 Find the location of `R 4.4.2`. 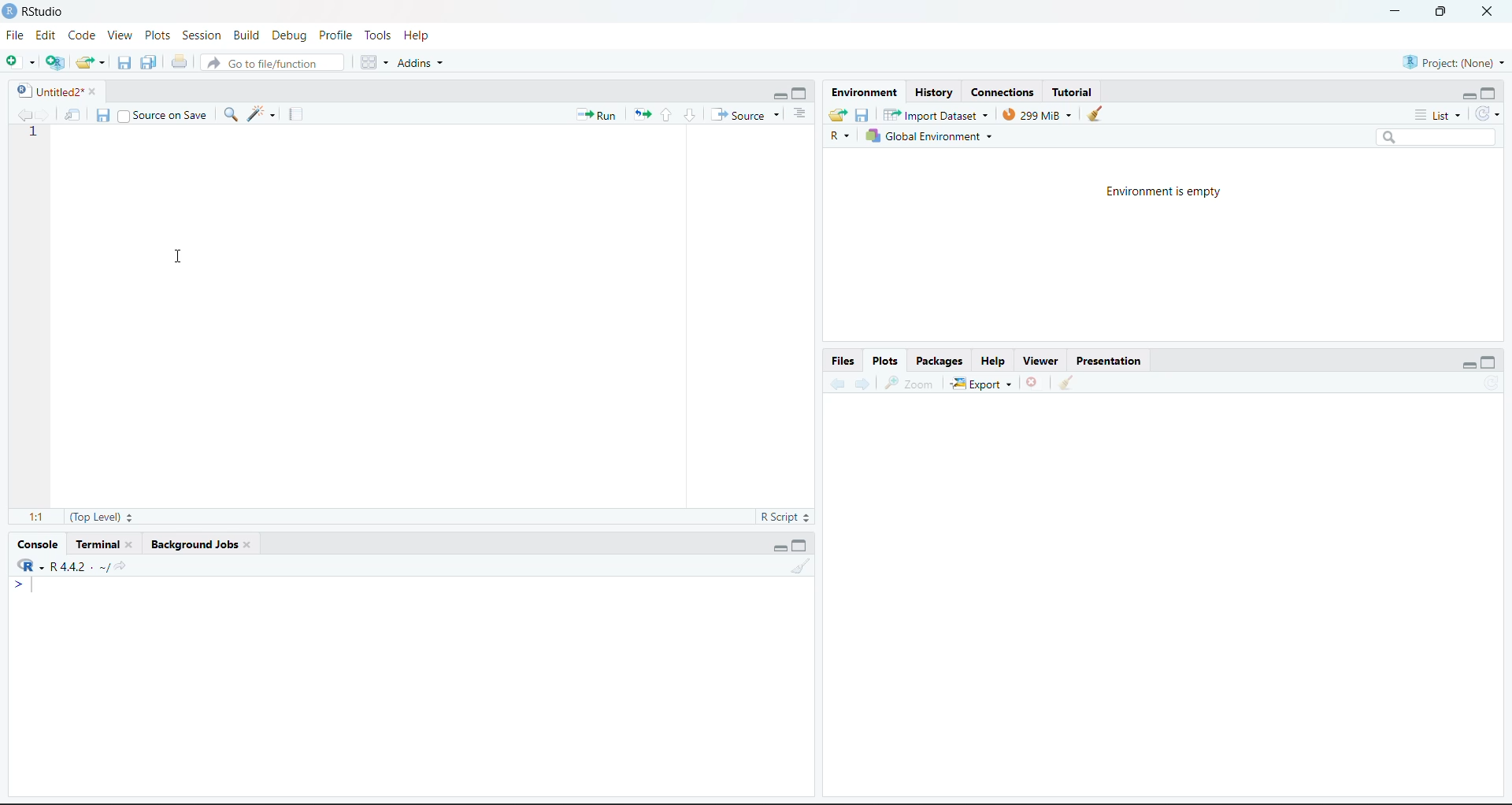

R 4.4.2 is located at coordinates (55, 564).